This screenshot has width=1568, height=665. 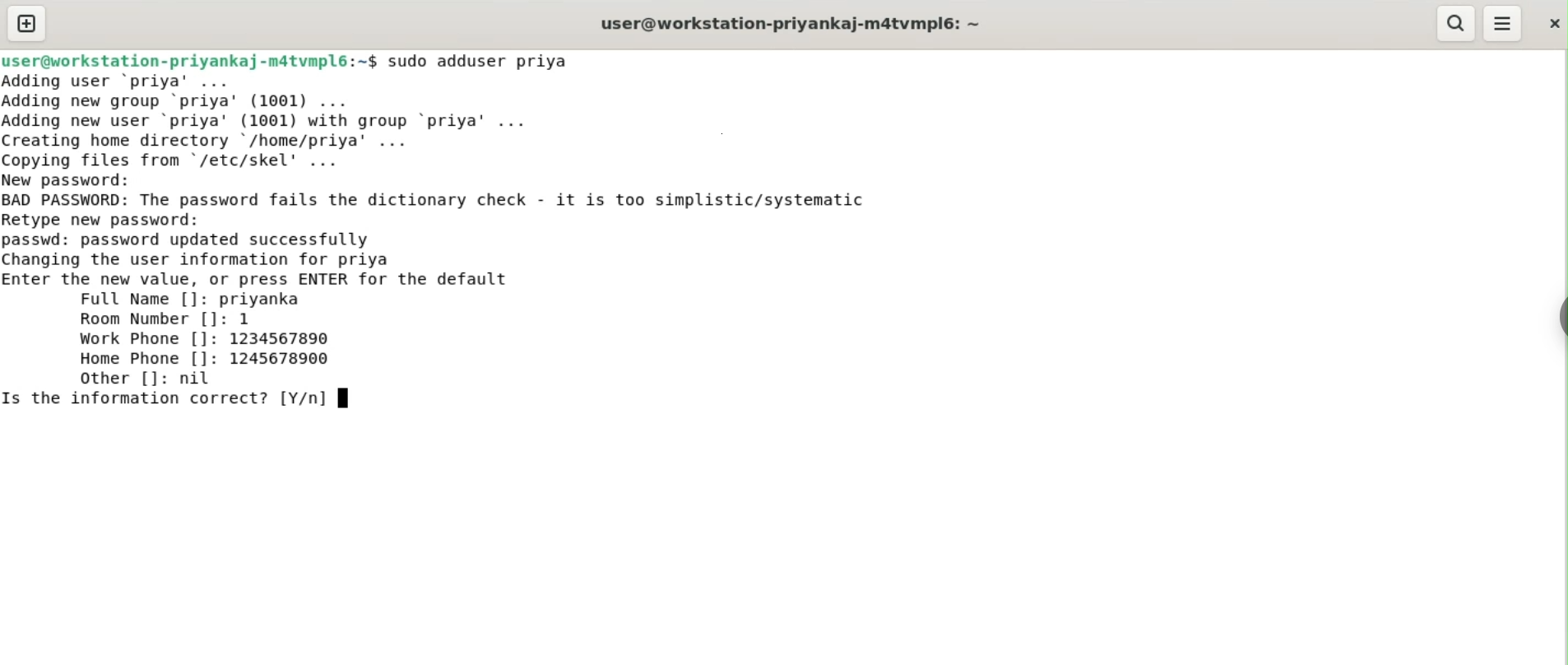 I want to click on new tab, so click(x=26, y=23).